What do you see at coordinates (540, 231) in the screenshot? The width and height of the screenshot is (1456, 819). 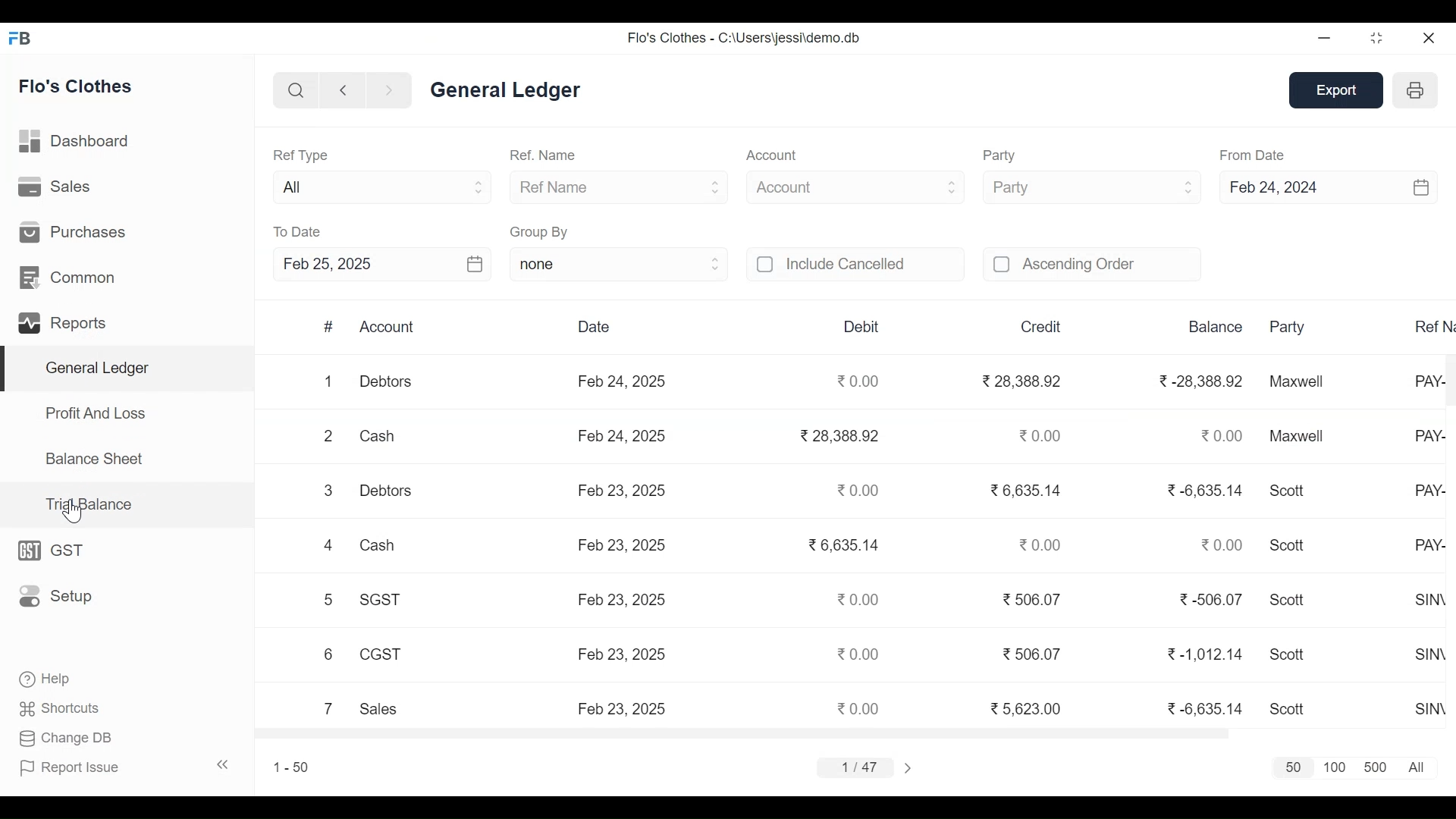 I see `Group By` at bounding box center [540, 231].